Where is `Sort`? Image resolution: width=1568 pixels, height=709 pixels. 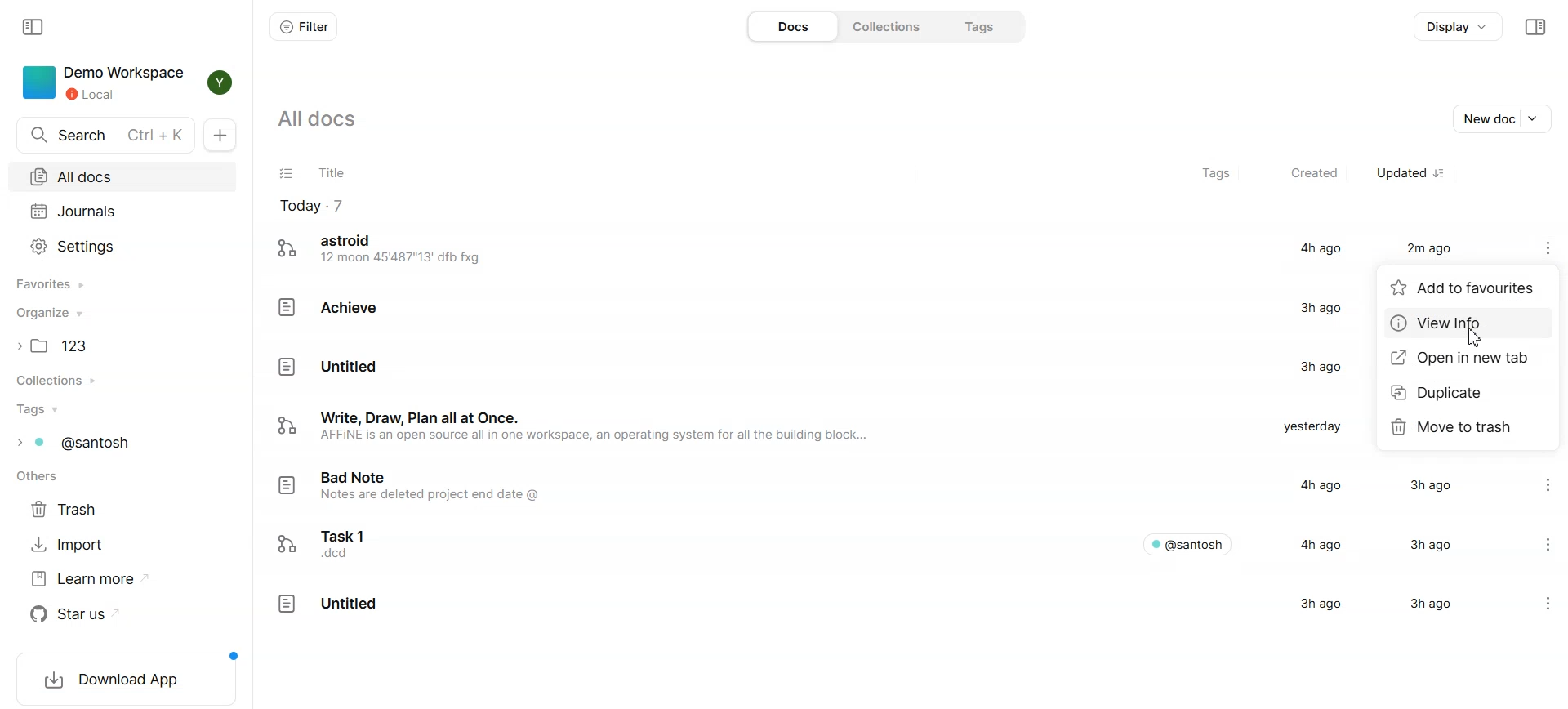
Sort is located at coordinates (1441, 173).